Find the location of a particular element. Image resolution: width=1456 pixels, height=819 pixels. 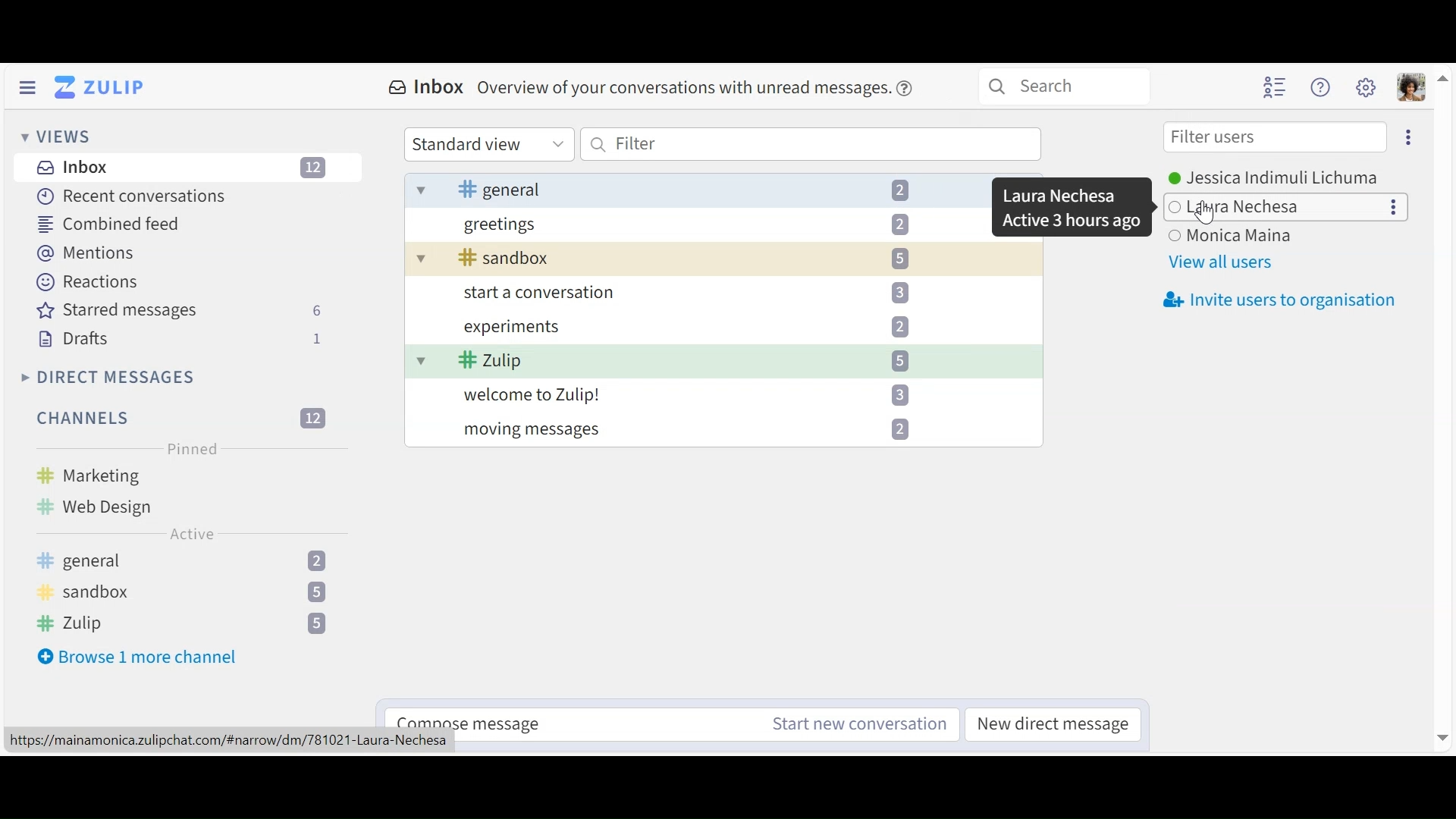

general is located at coordinates (184, 562).